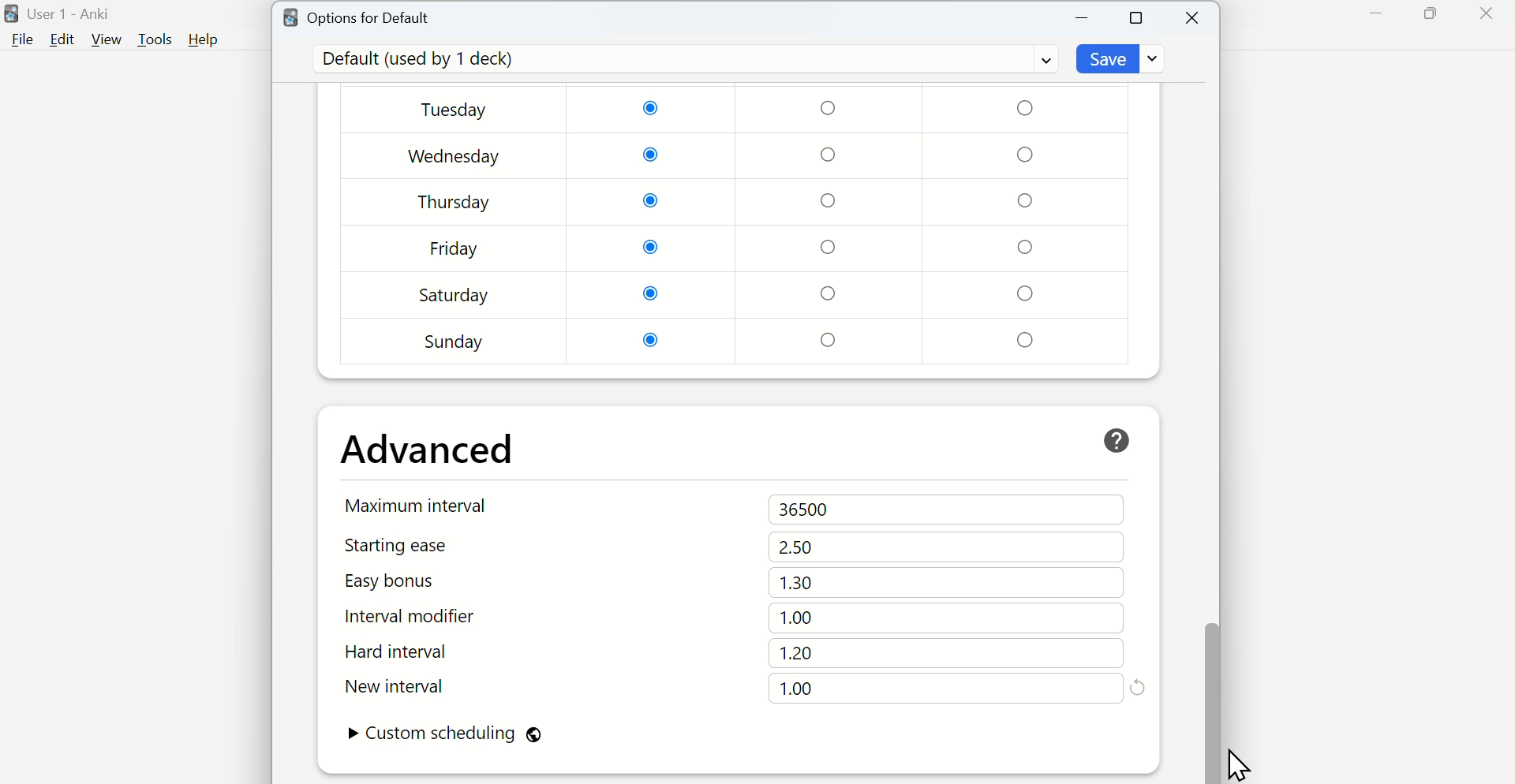  What do you see at coordinates (796, 582) in the screenshot?
I see `1.30` at bounding box center [796, 582].